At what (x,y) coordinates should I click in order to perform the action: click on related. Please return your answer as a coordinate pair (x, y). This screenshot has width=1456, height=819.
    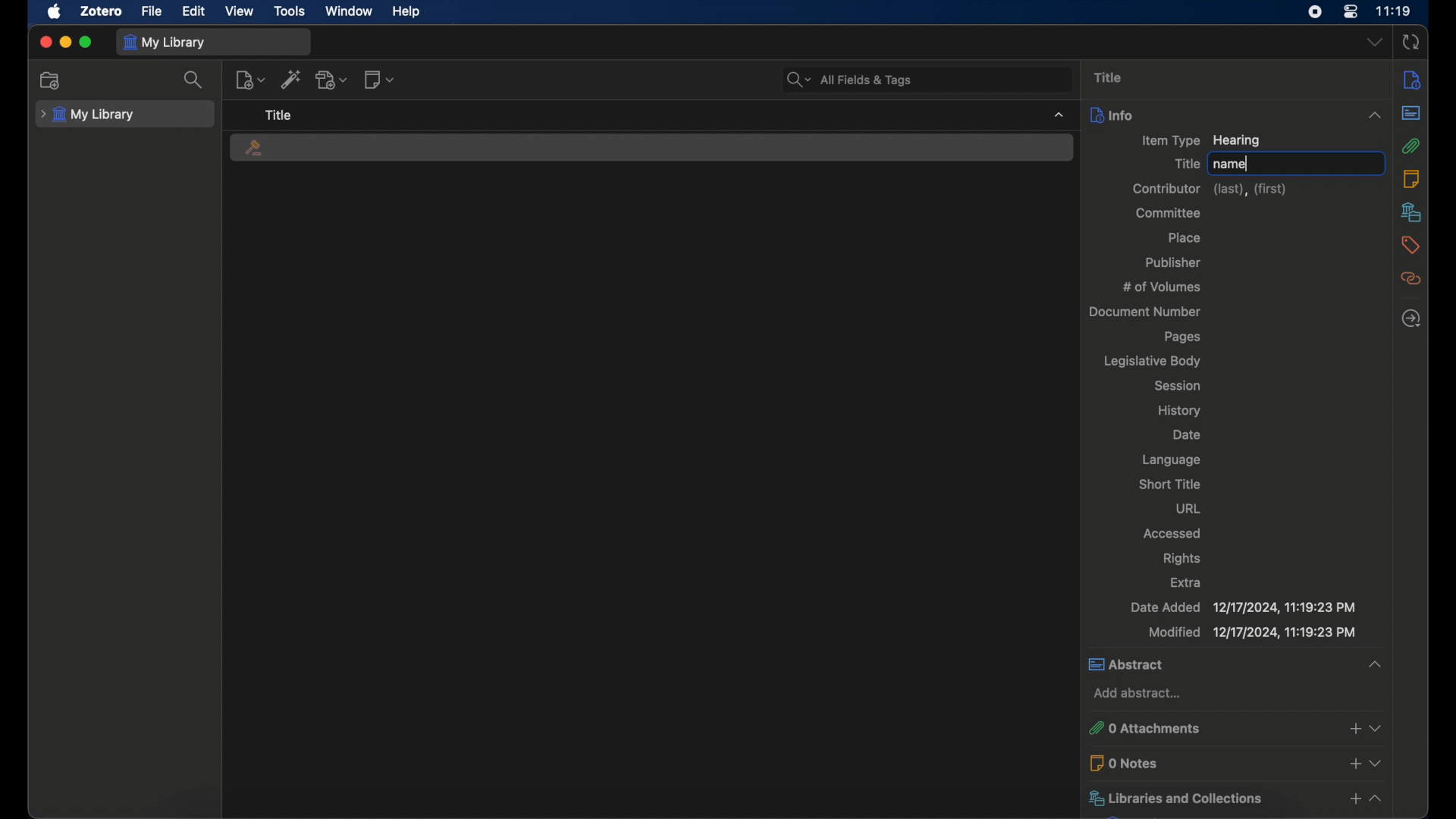
    Looking at the image, I should click on (1410, 278).